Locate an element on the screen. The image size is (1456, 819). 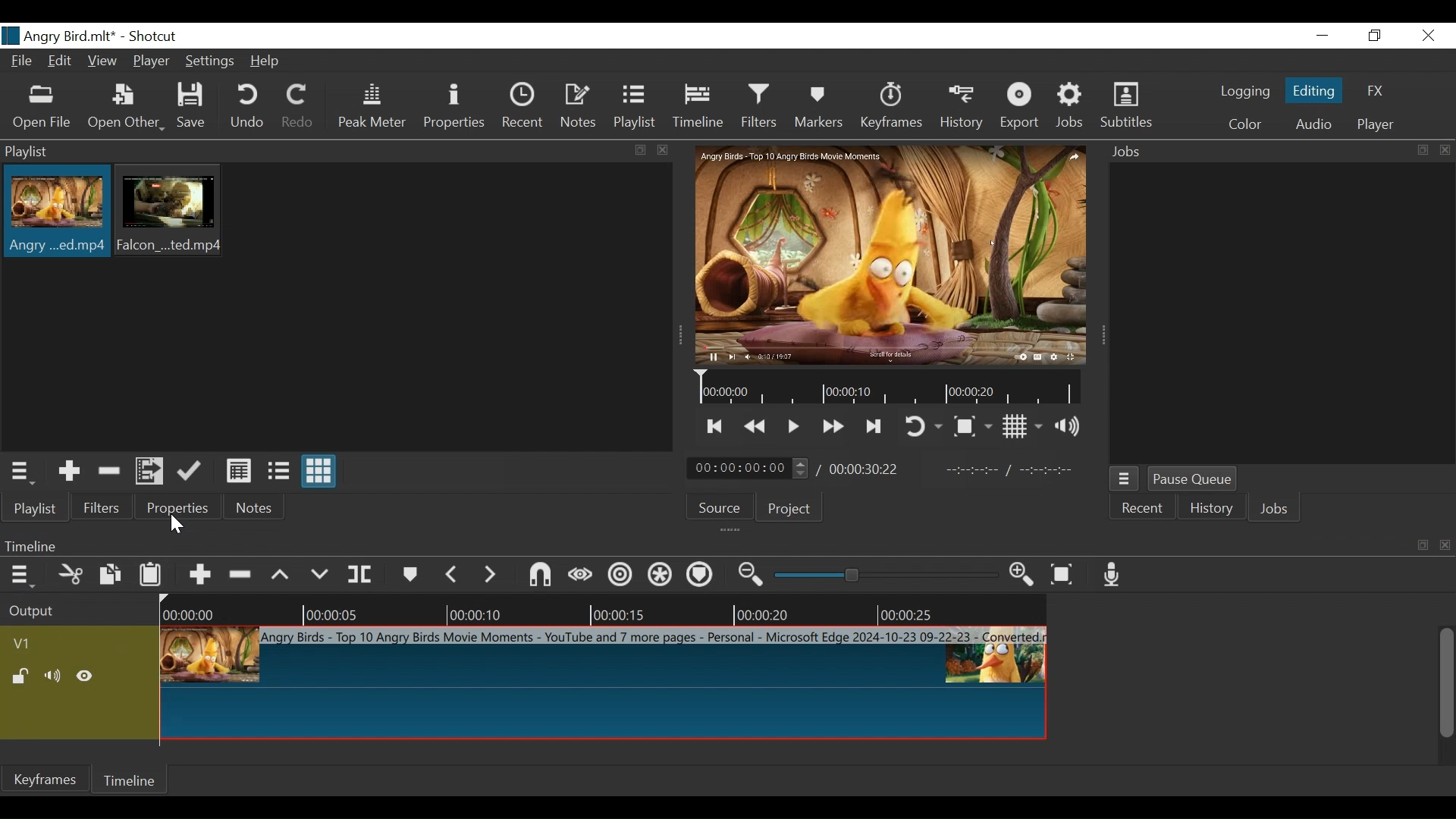
Open Other File is located at coordinates (42, 109).